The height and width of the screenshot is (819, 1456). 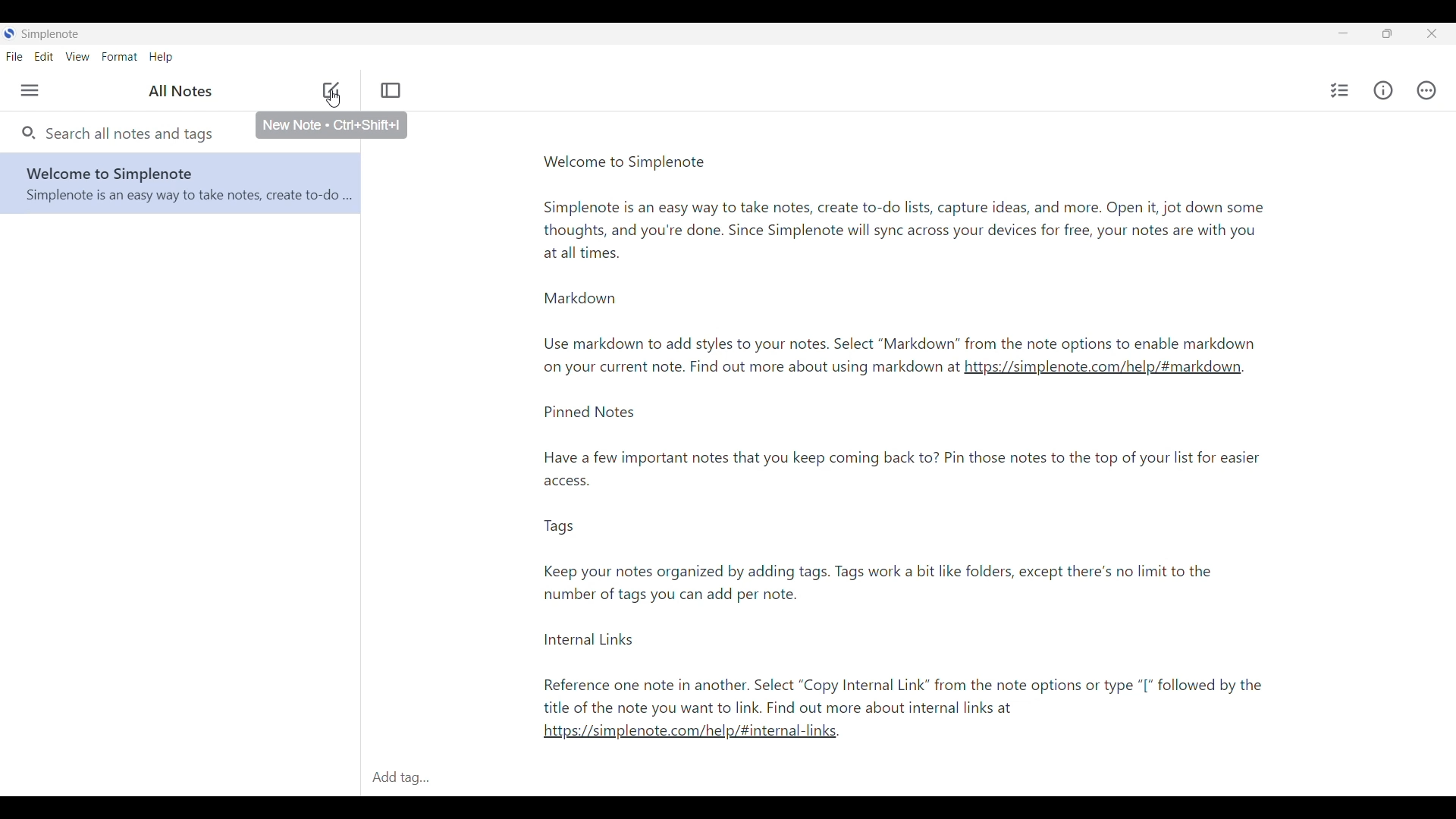 What do you see at coordinates (161, 58) in the screenshot?
I see `Help` at bounding box center [161, 58].